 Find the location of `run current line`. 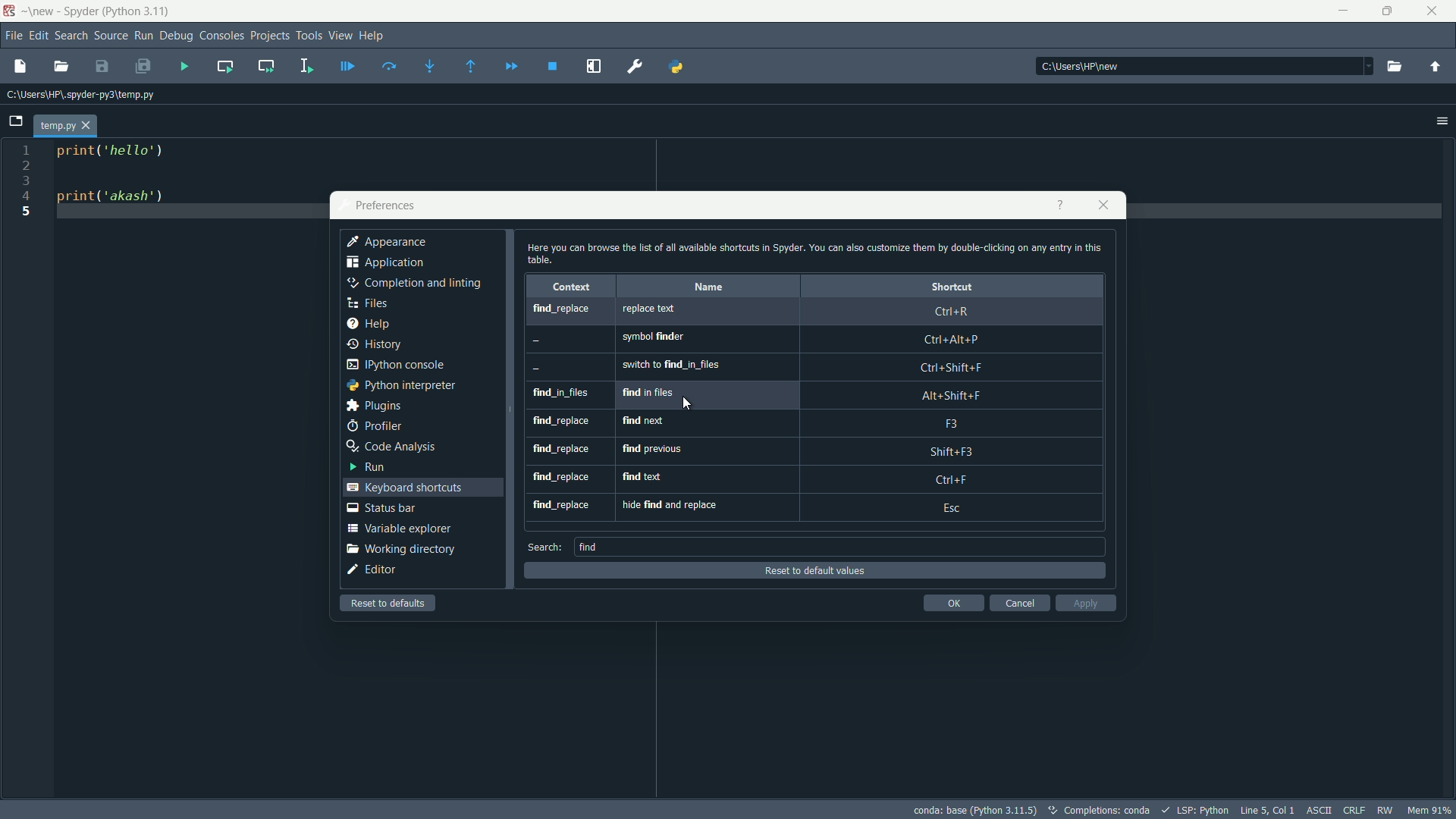

run current line is located at coordinates (392, 67).